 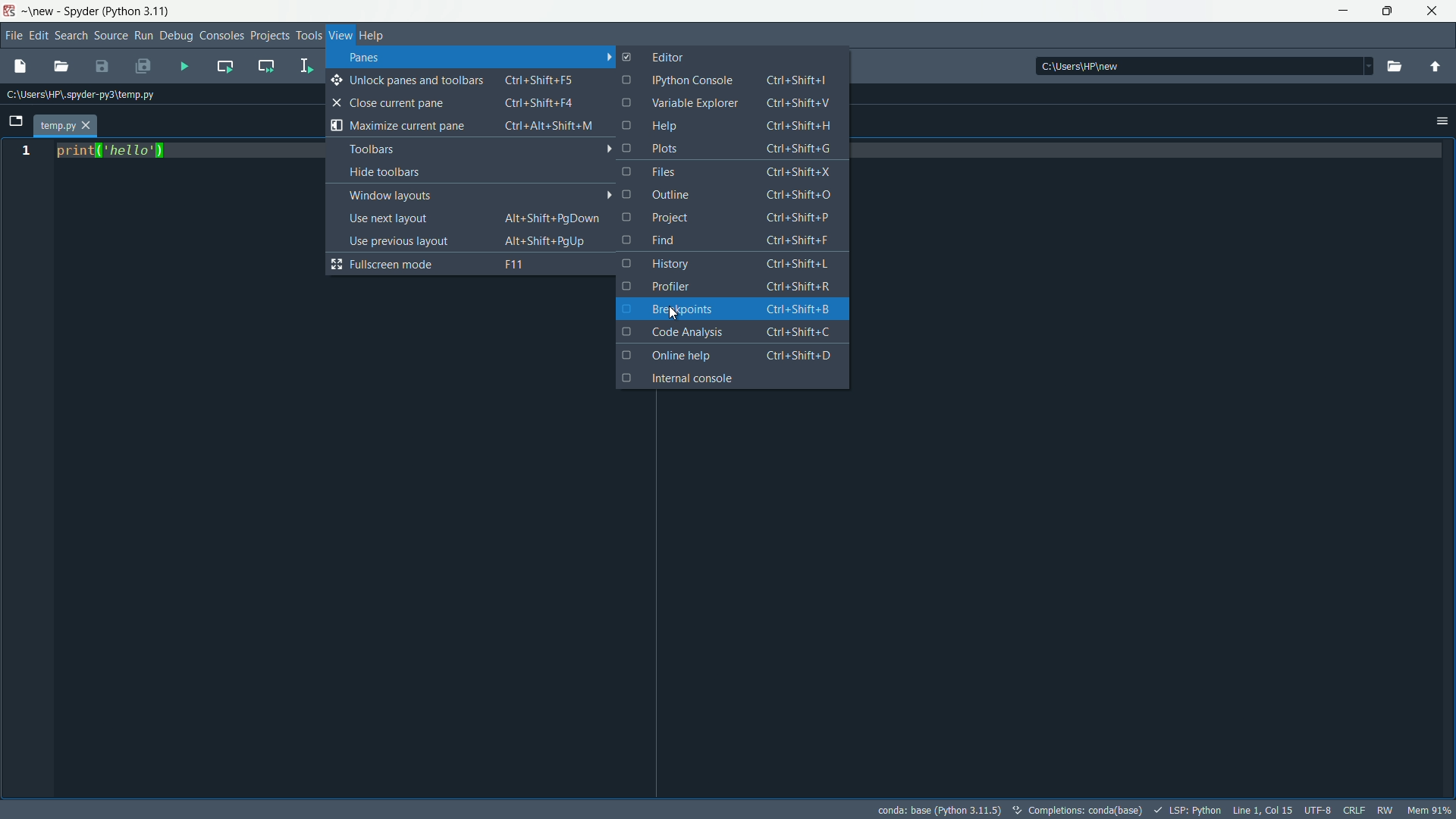 I want to click on parent directory, so click(x=1436, y=67).